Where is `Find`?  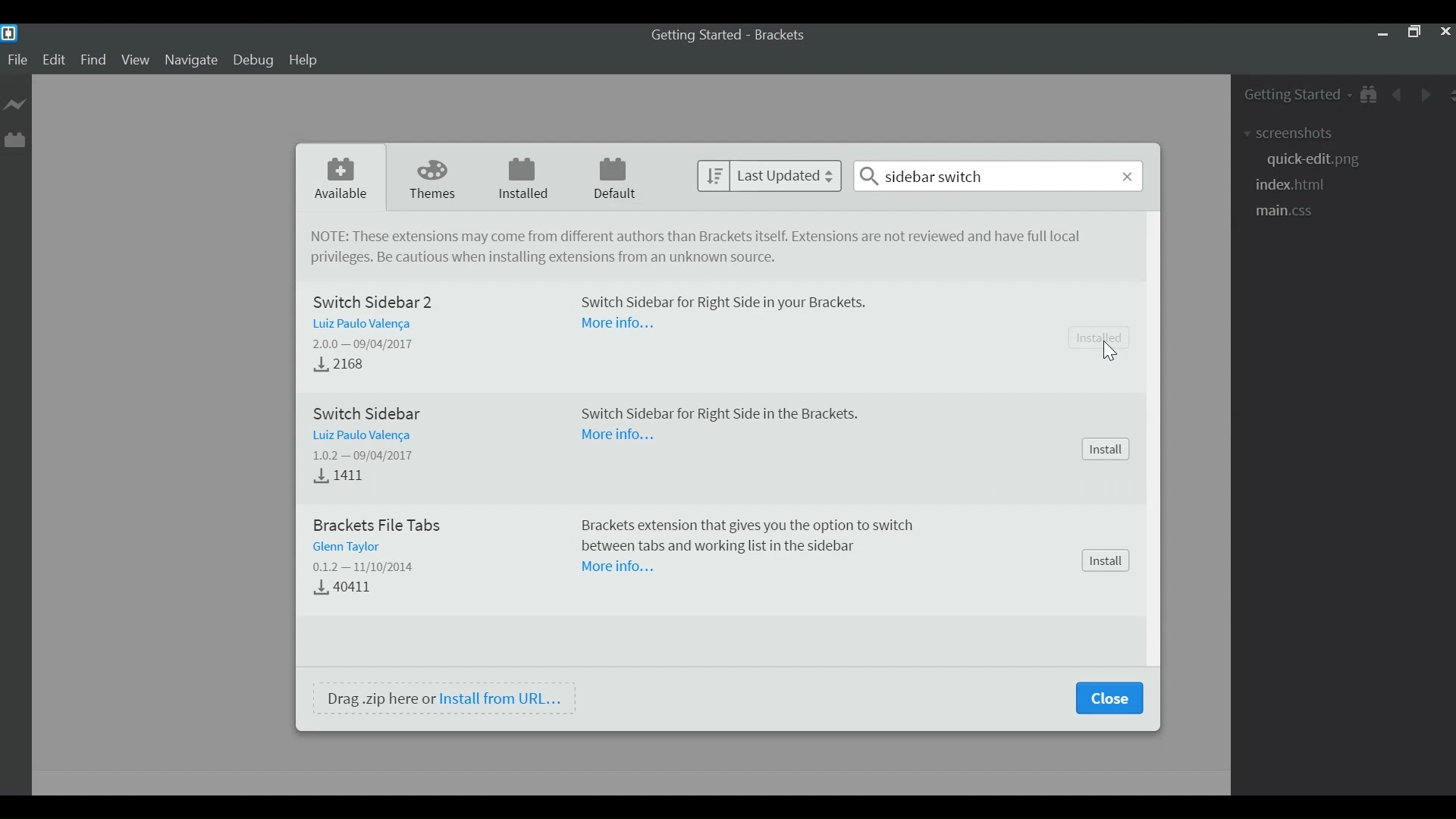 Find is located at coordinates (93, 61).